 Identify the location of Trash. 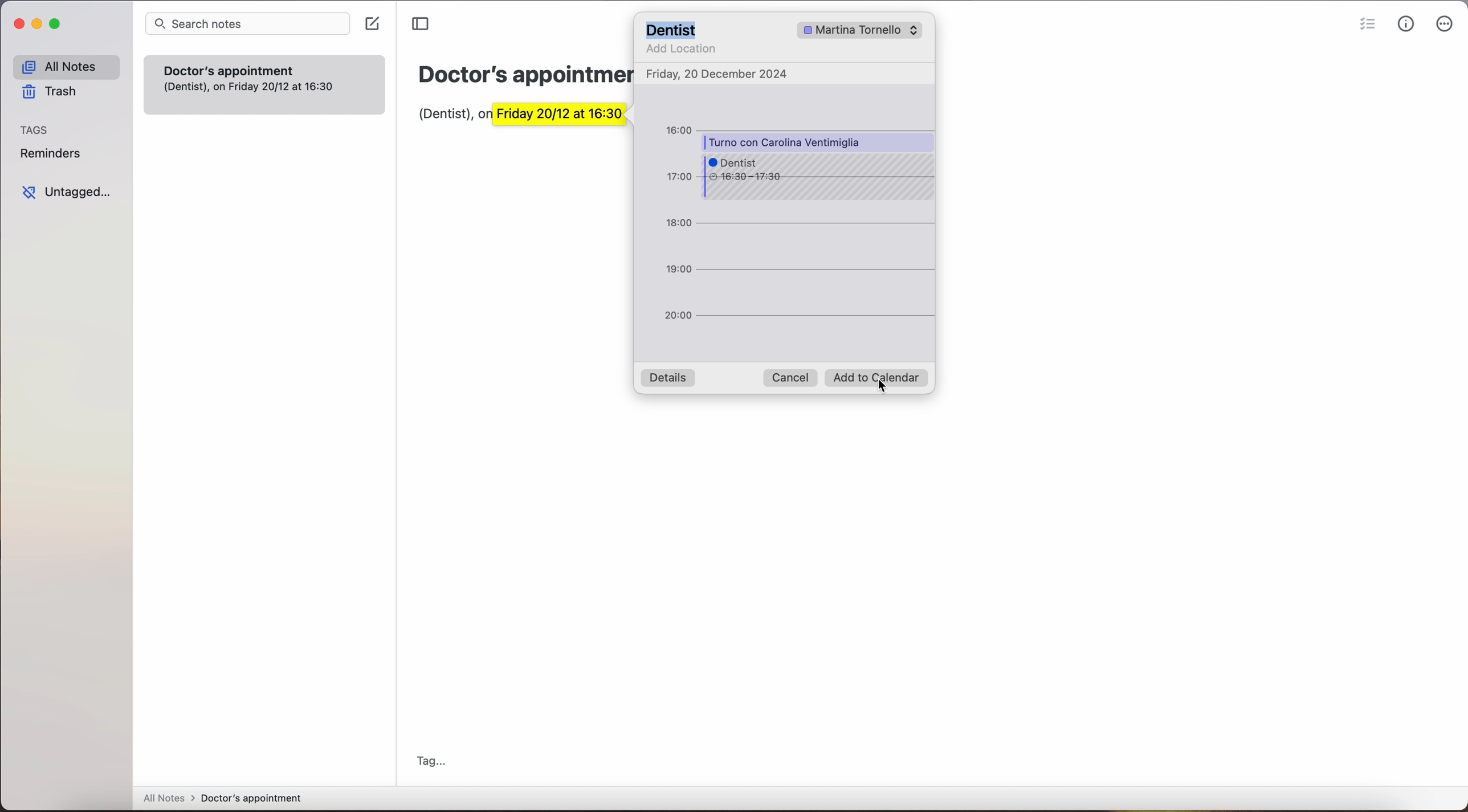
(58, 92).